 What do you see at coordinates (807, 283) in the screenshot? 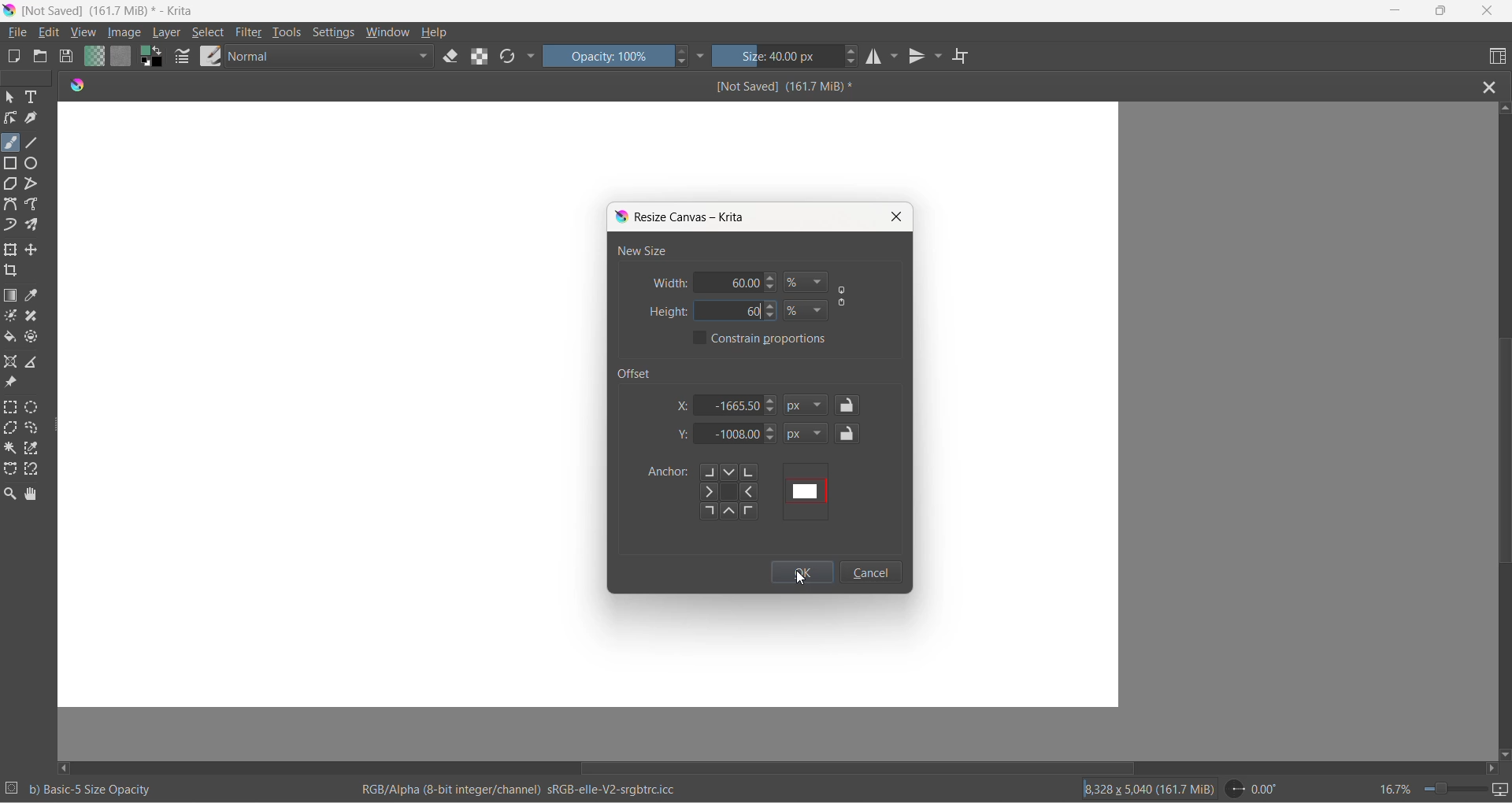
I see `width value type` at bounding box center [807, 283].